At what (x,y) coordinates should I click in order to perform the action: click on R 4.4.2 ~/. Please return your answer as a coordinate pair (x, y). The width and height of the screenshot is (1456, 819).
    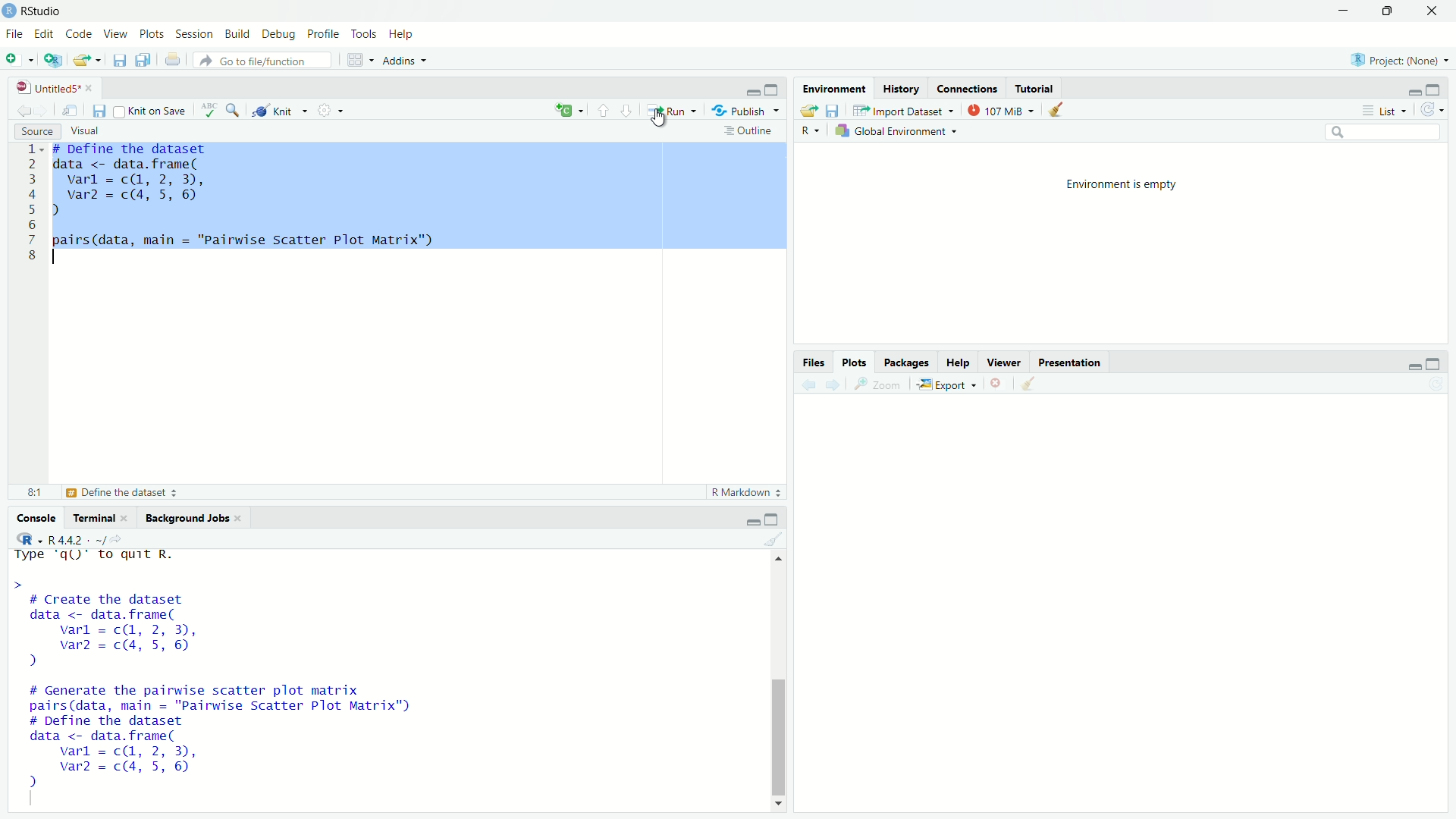
    Looking at the image, I should click on (76, 538).